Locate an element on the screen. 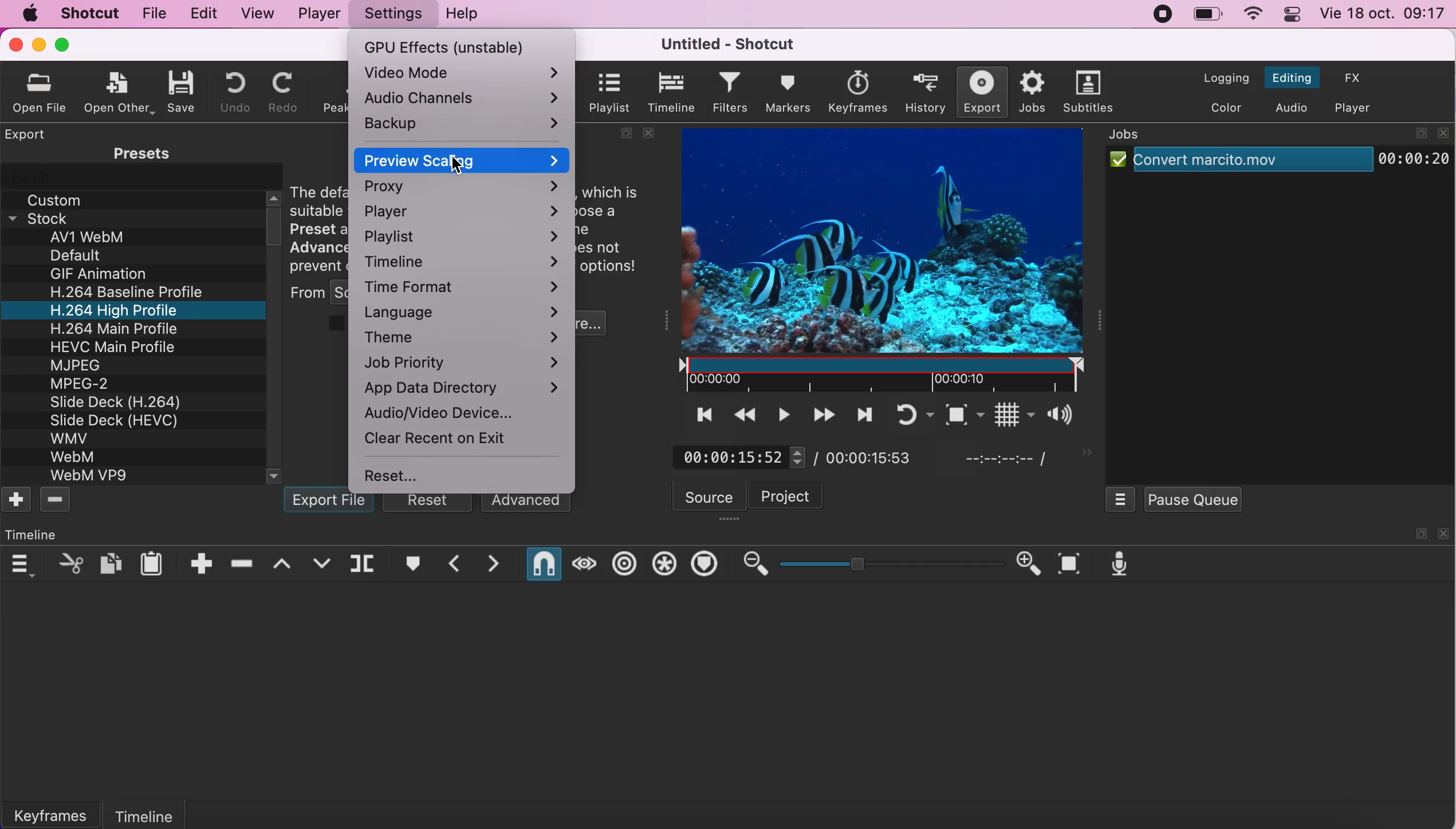  wifi is located at coordinates (1250, 15).